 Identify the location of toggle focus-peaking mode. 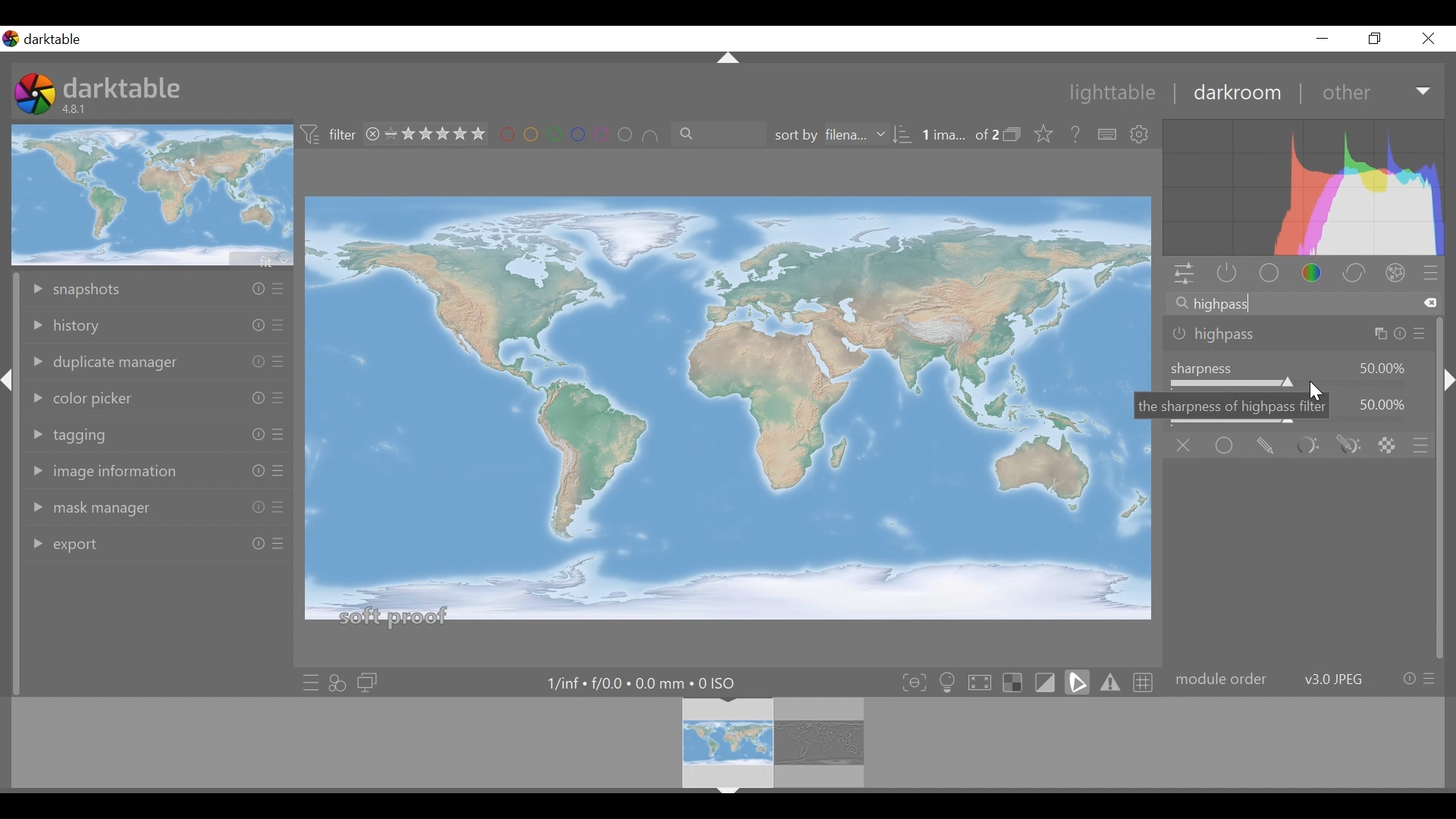
(912, 681).